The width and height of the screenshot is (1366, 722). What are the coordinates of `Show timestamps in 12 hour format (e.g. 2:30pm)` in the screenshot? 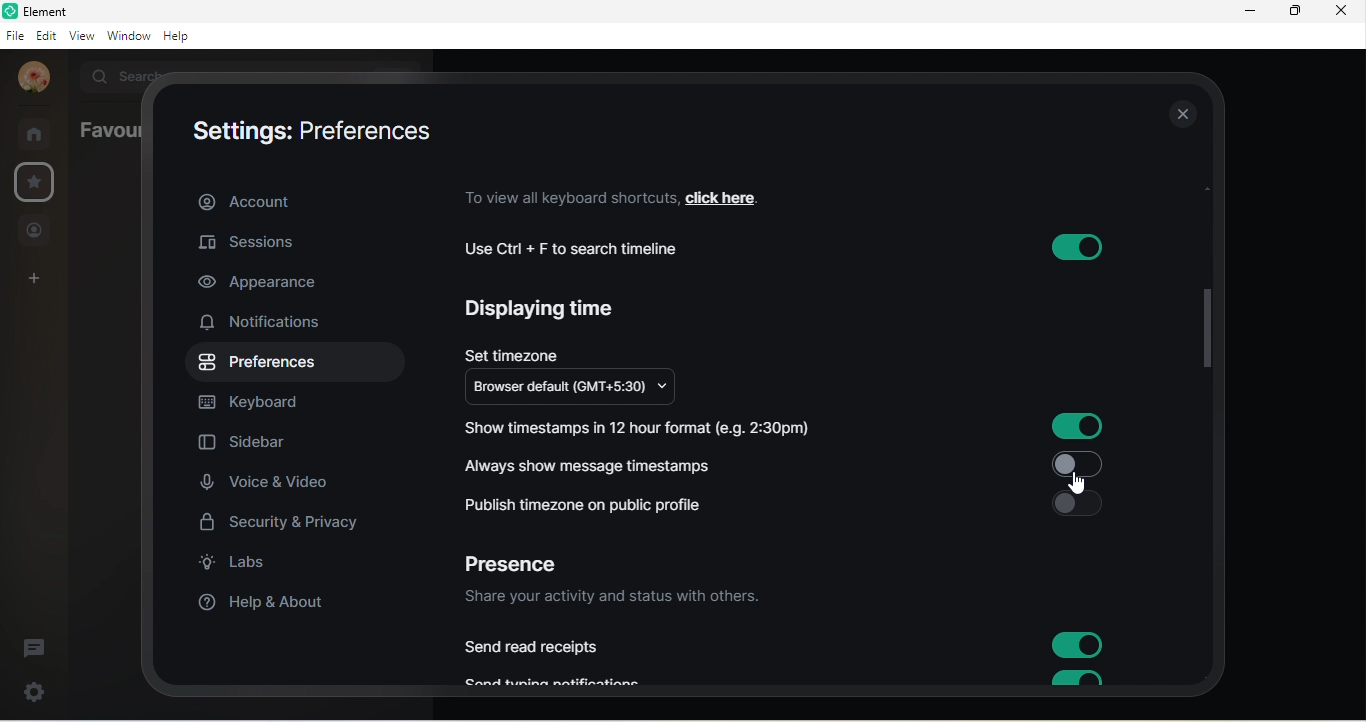 It's located at (646, 426).